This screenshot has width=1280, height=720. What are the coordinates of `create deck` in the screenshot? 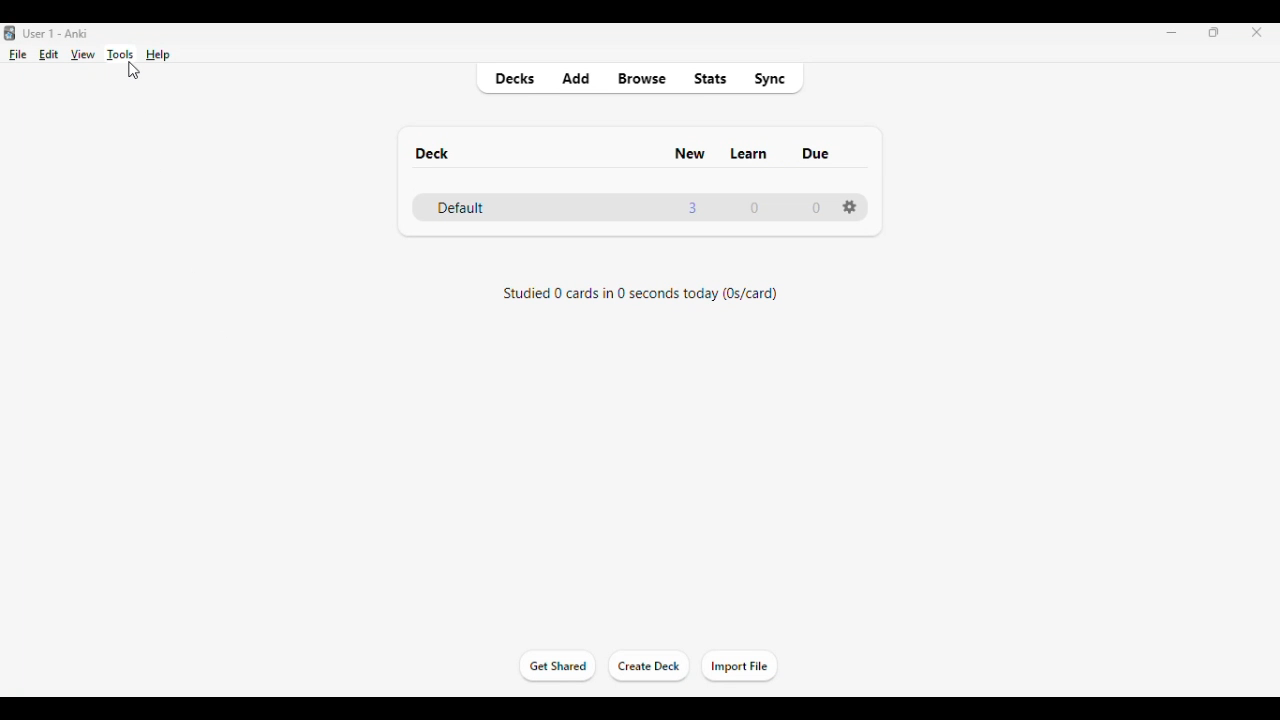 It's located at (650, 667).